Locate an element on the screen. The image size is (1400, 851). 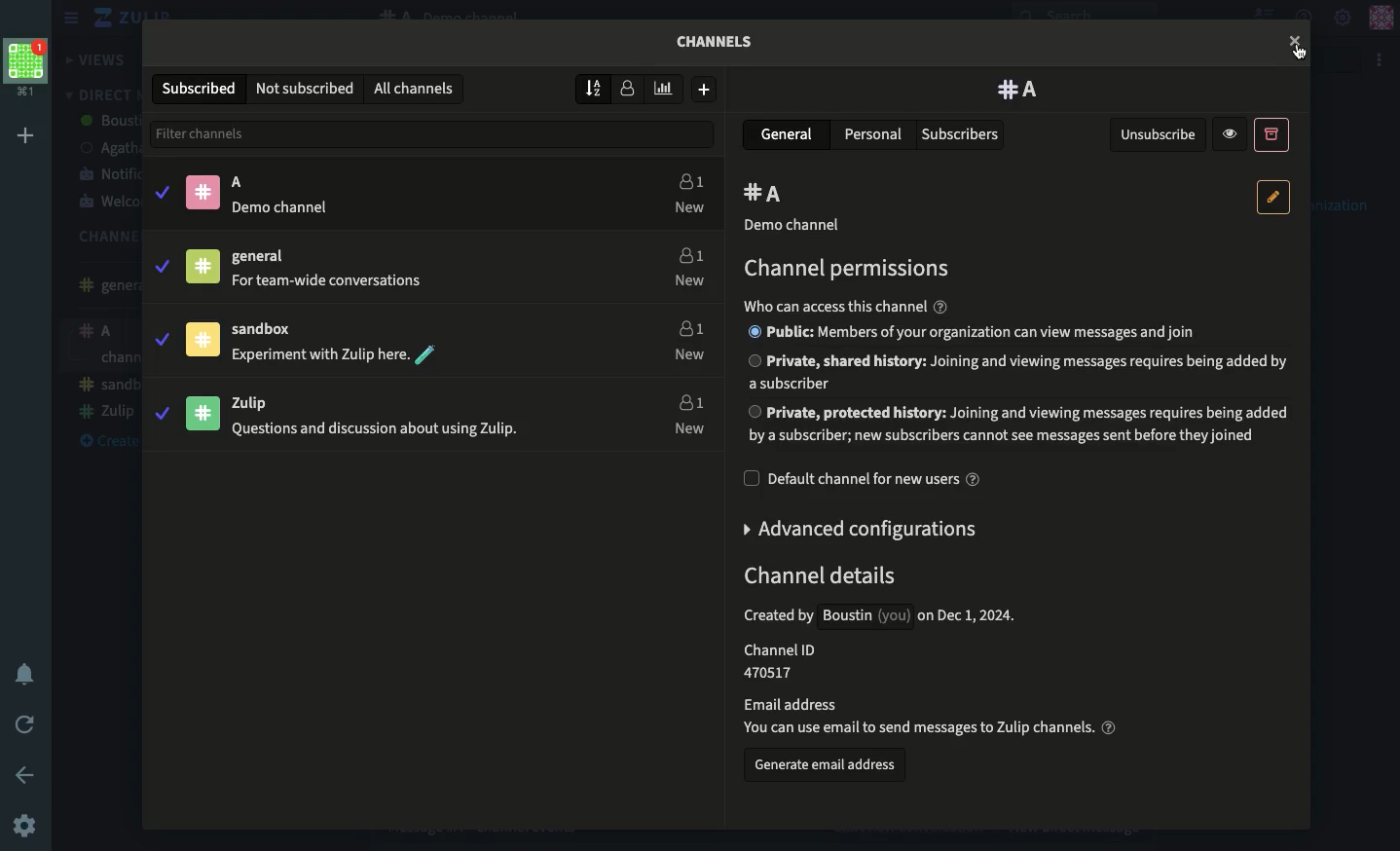
Profile is located at coordinates (1381, 18).